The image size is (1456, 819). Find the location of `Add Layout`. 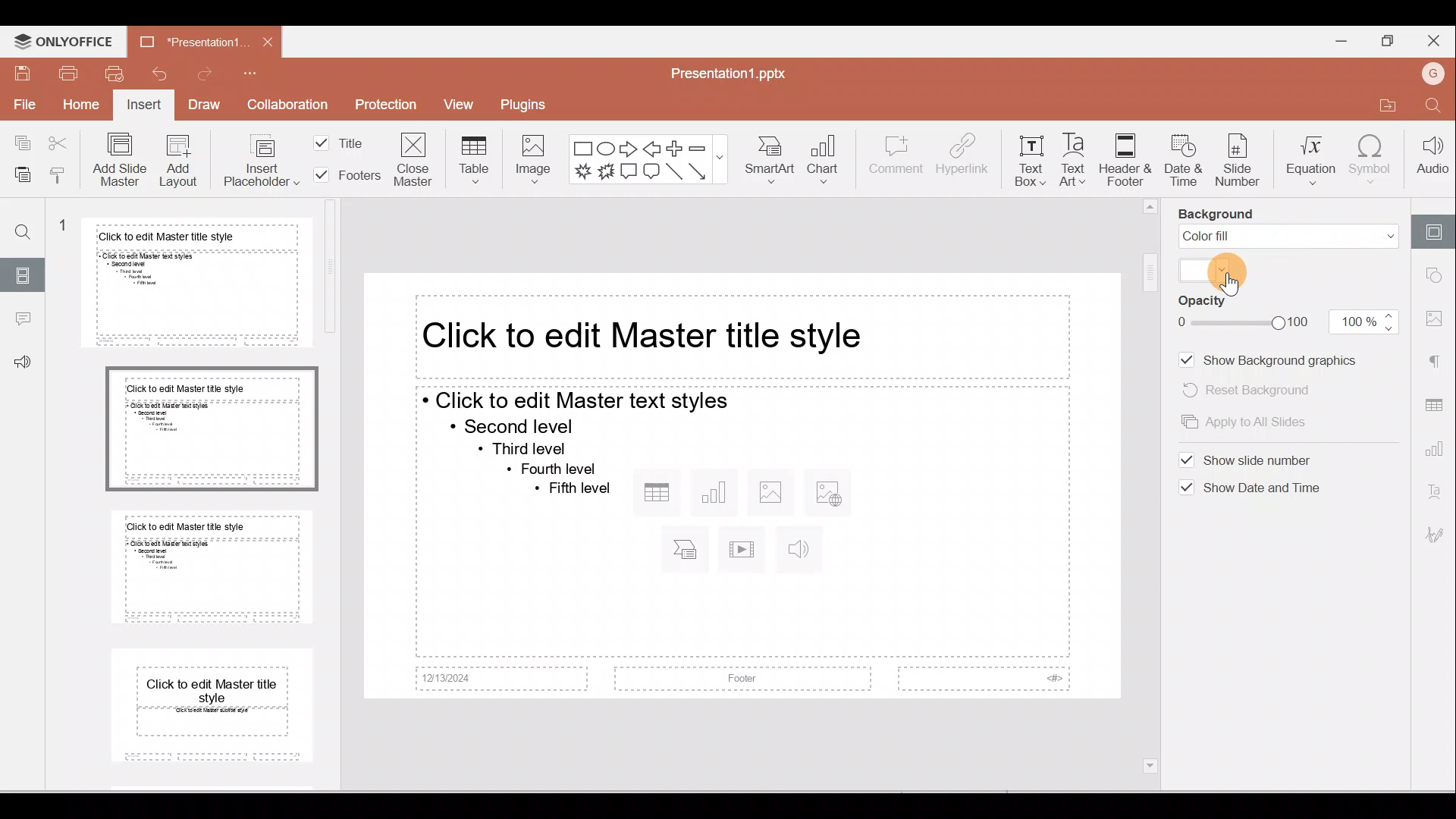

Add Layout is located at coordinates (179, 160).